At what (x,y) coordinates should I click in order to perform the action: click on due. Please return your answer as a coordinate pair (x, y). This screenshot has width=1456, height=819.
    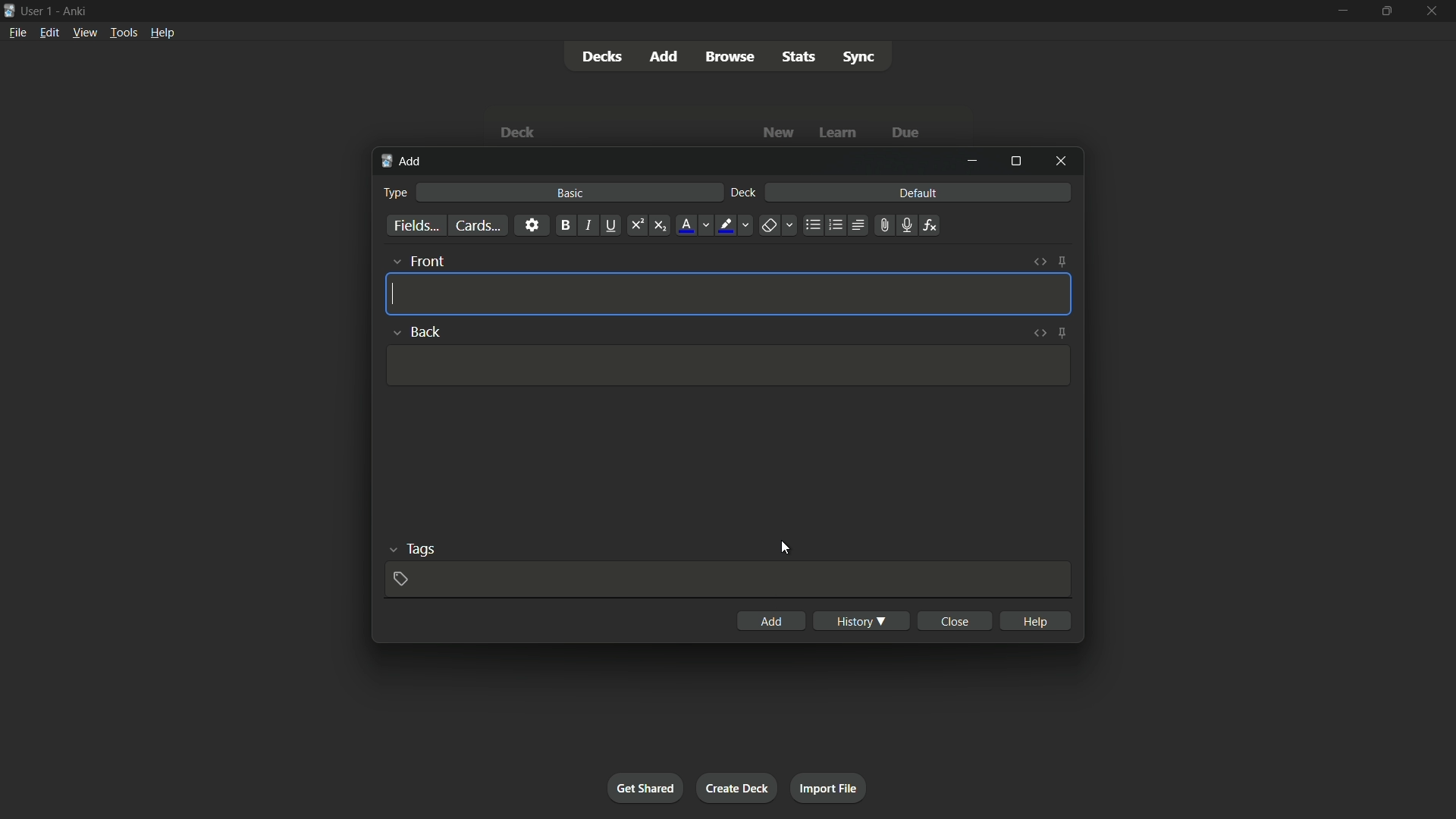
    Looking at the image, I should click on (908, 131).